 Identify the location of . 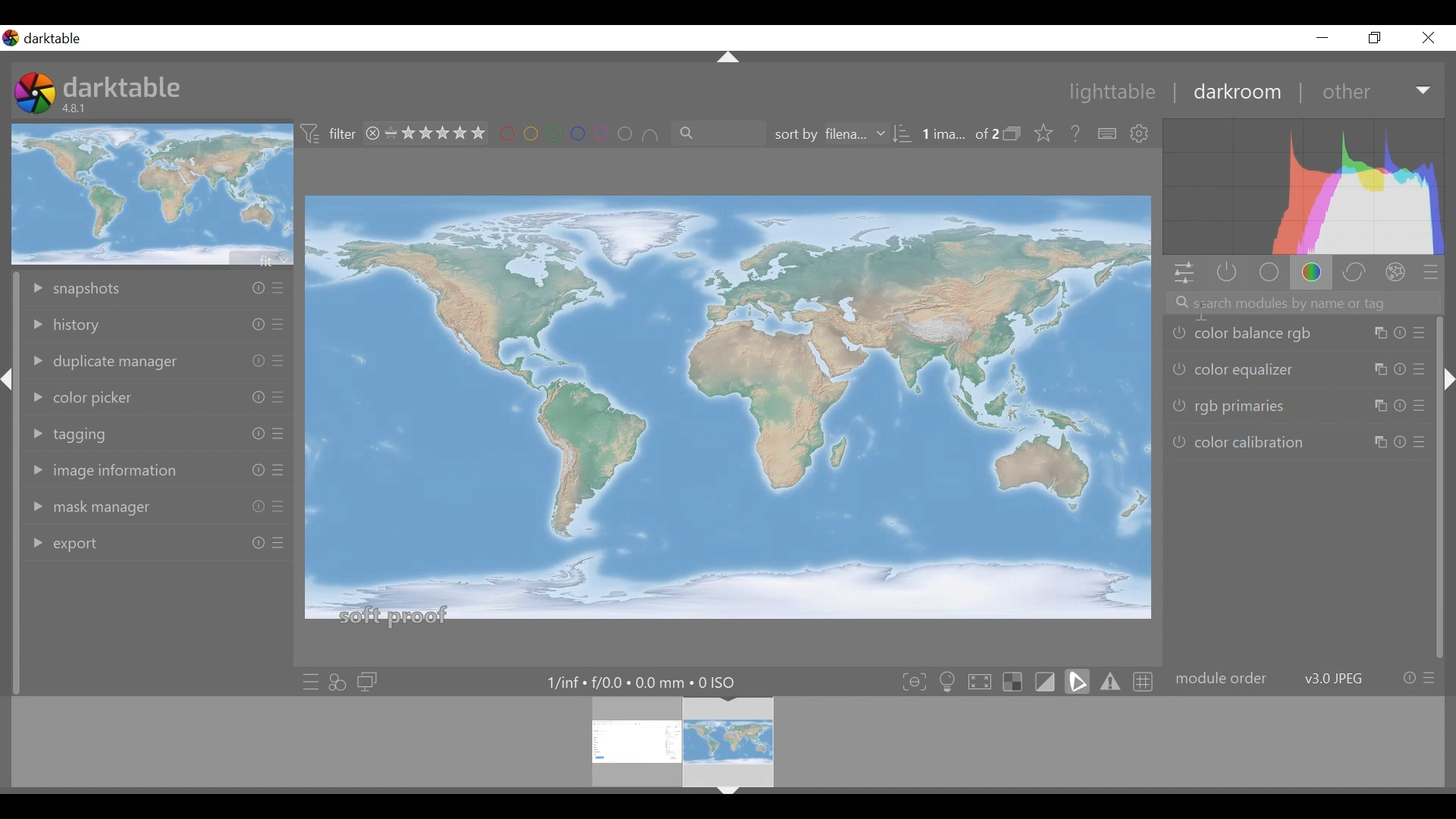
(1385, 406).